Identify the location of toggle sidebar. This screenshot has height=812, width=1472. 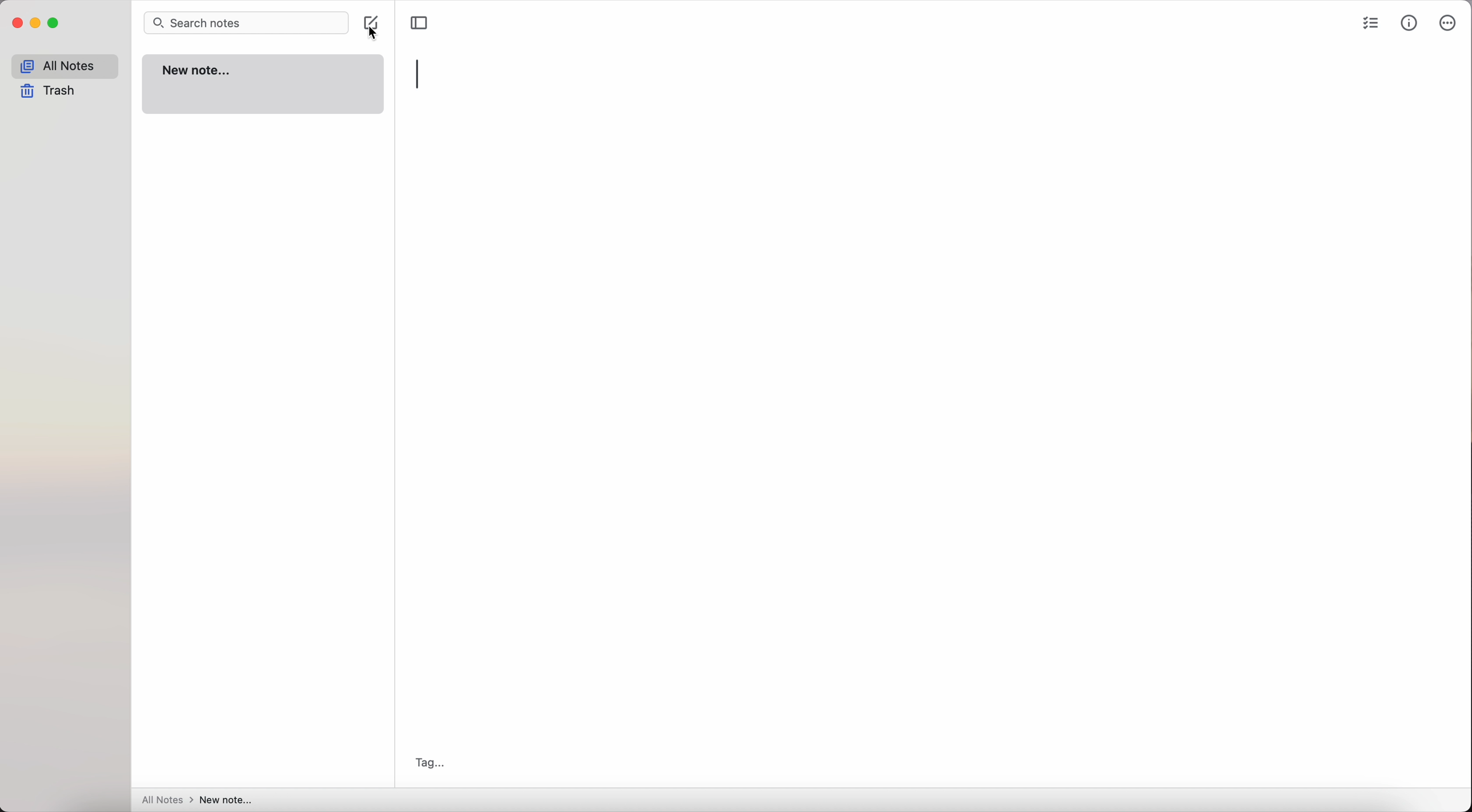
(421, 22).